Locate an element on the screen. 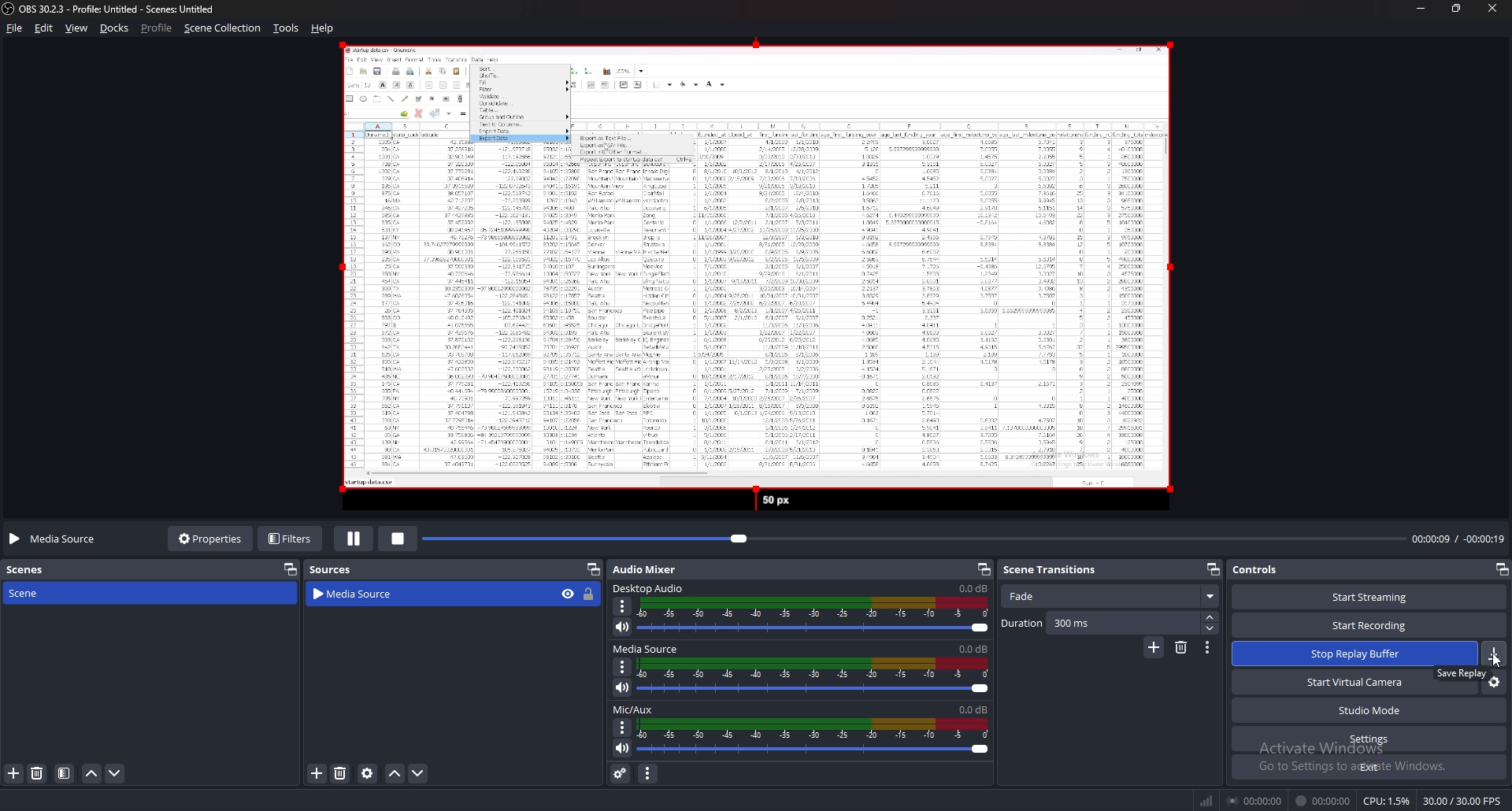 Image resolution: width=1512 pixels, height=811 pixels. start streaming is located at coordinates (1371, 596).